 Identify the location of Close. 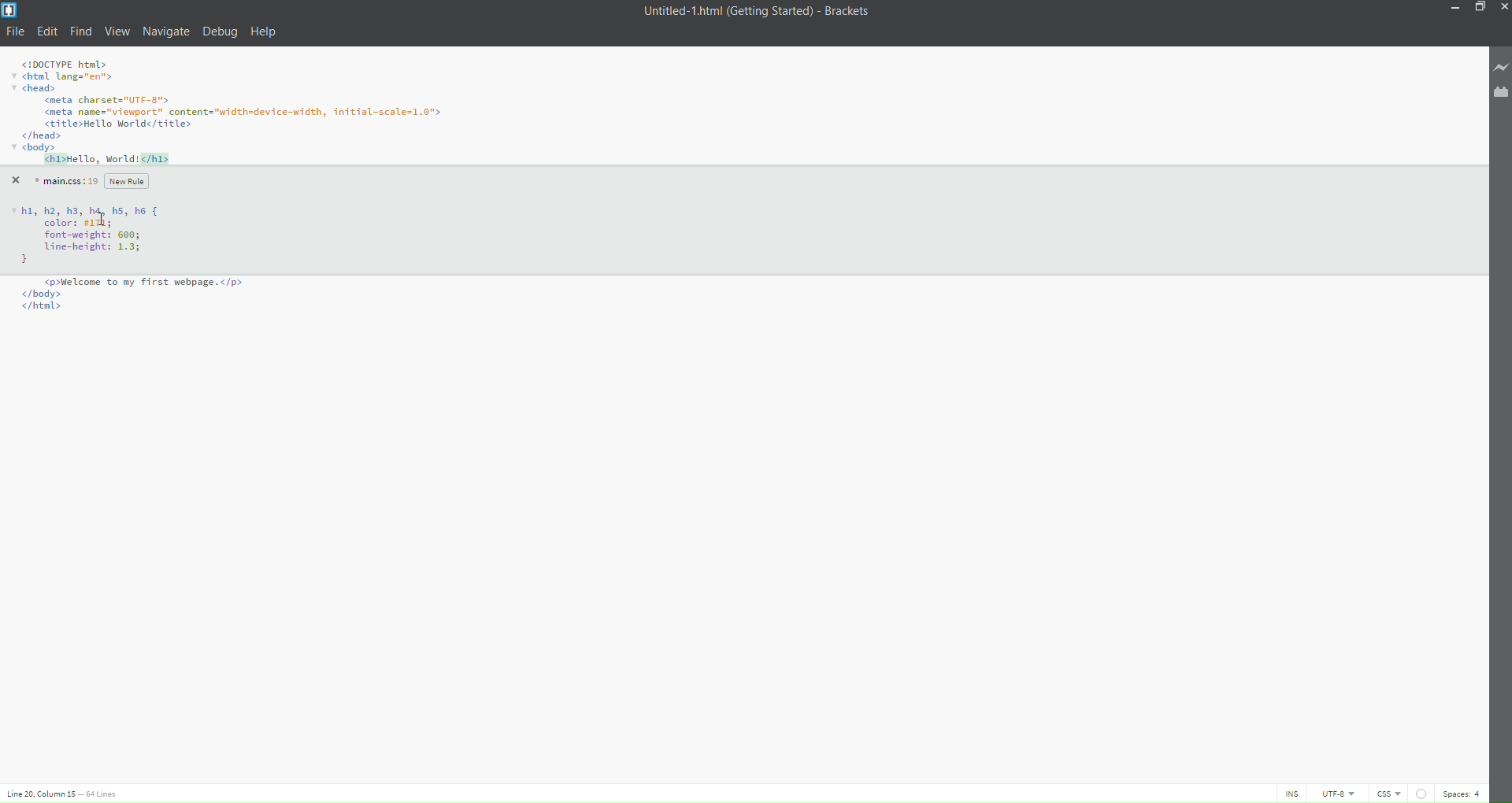
(14, 179).